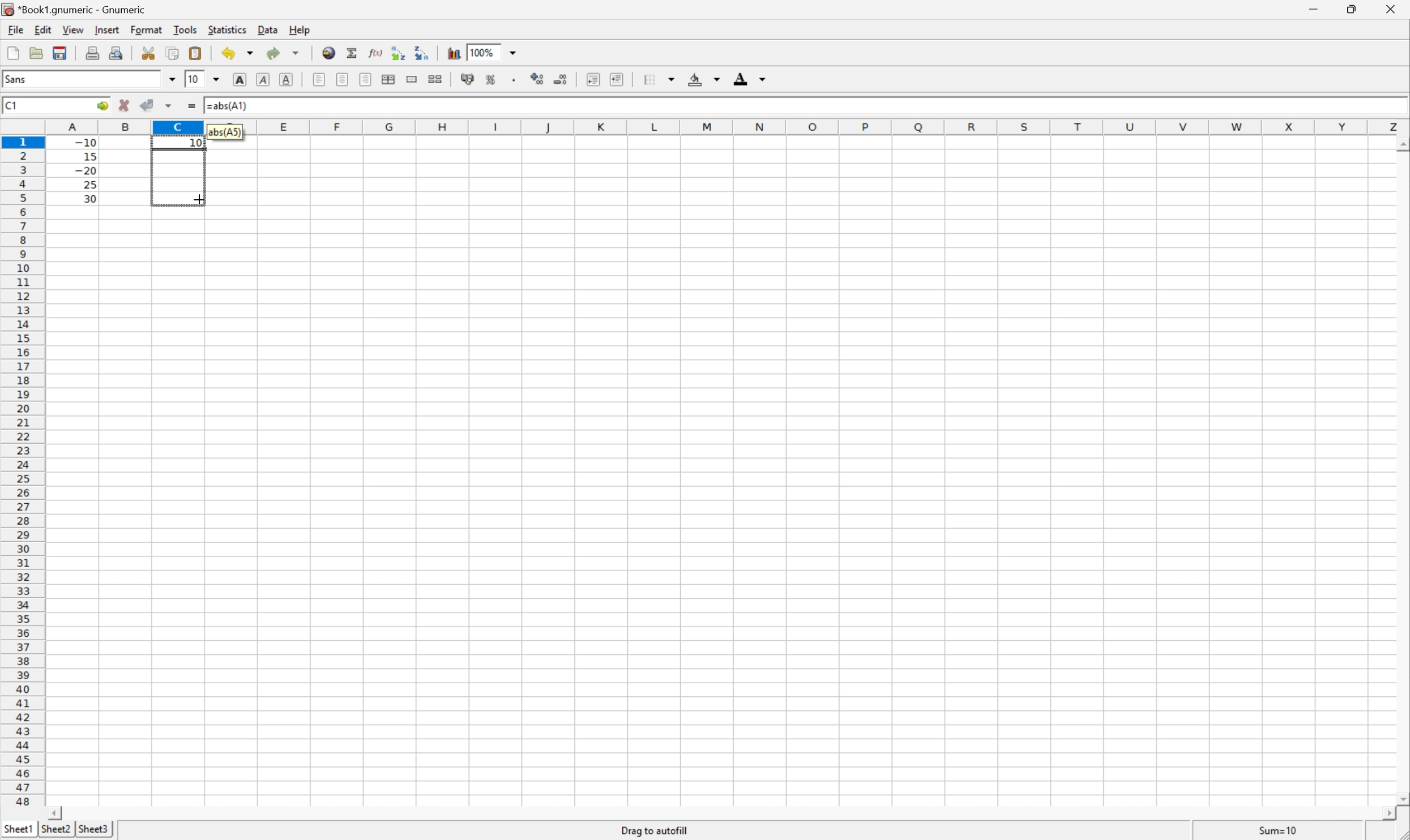 This screenshot has width=1410, height=840. Describe the element at coordinates (271, 31) in the screenshot. I see `Data` at that location.